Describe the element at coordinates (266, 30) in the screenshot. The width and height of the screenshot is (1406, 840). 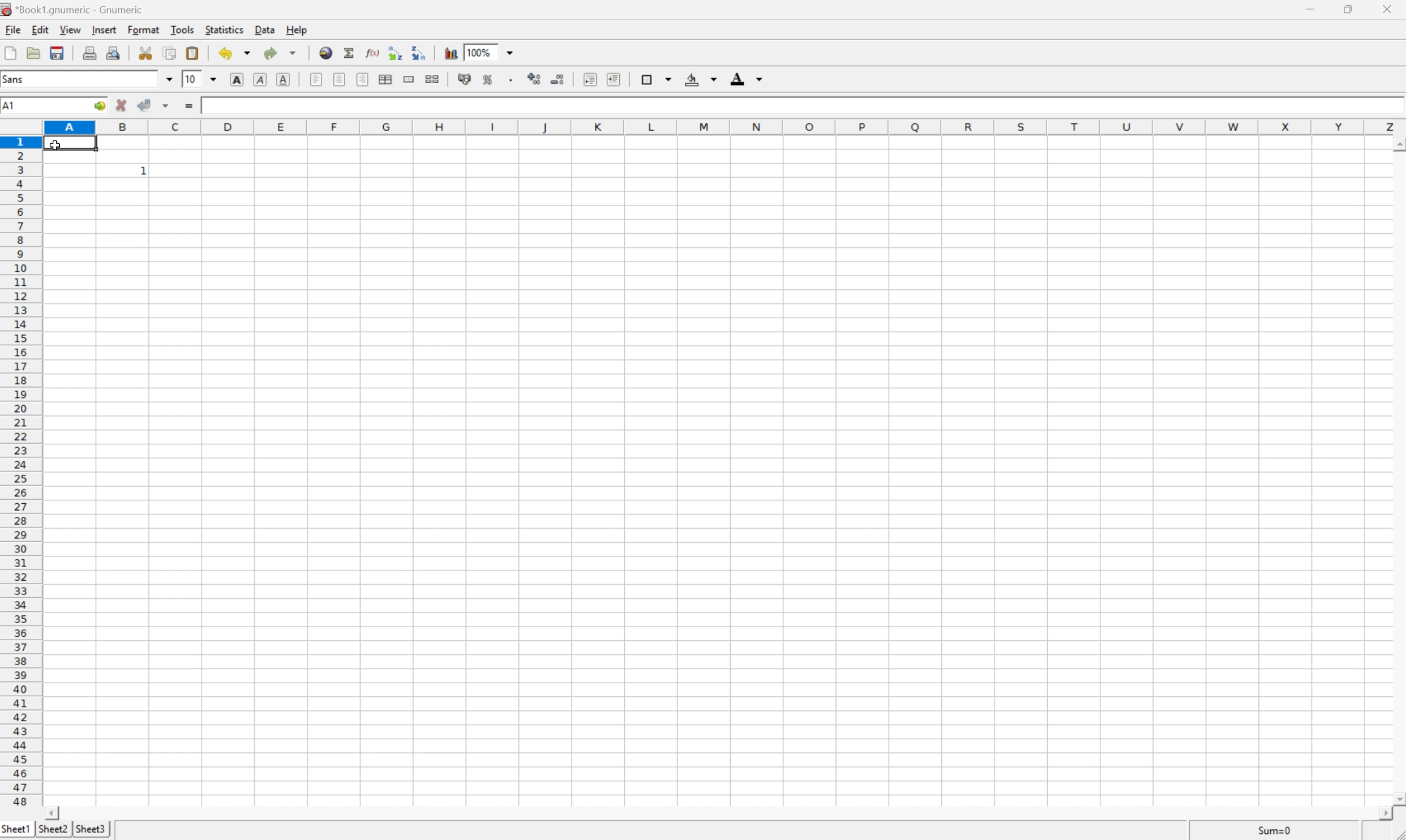
I see `data` at that location.